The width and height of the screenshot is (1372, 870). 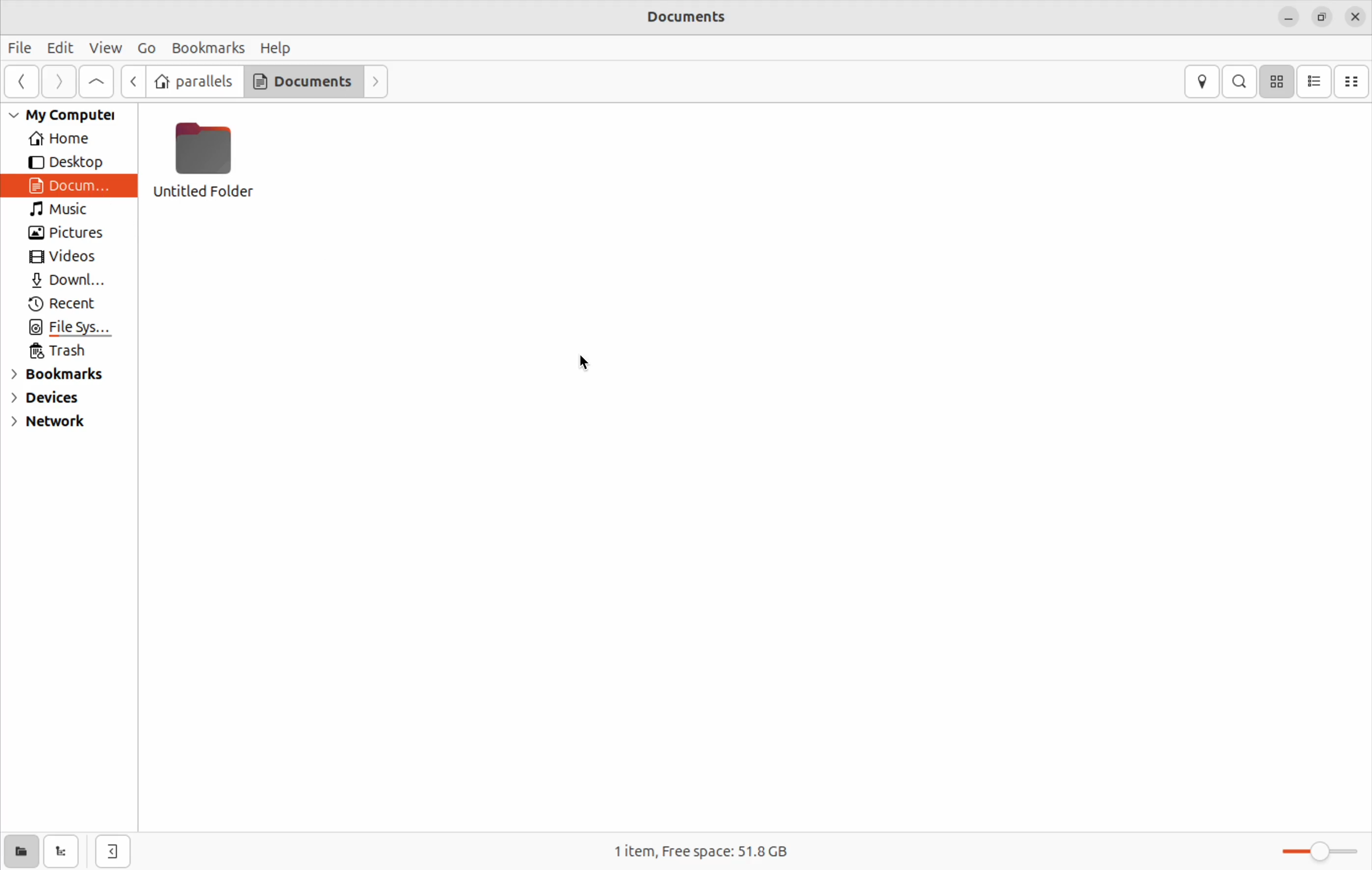 What do you see at coordinates (1289, 17) in the screenshot?
I see `minimize` at bounding box center [1289, 17].